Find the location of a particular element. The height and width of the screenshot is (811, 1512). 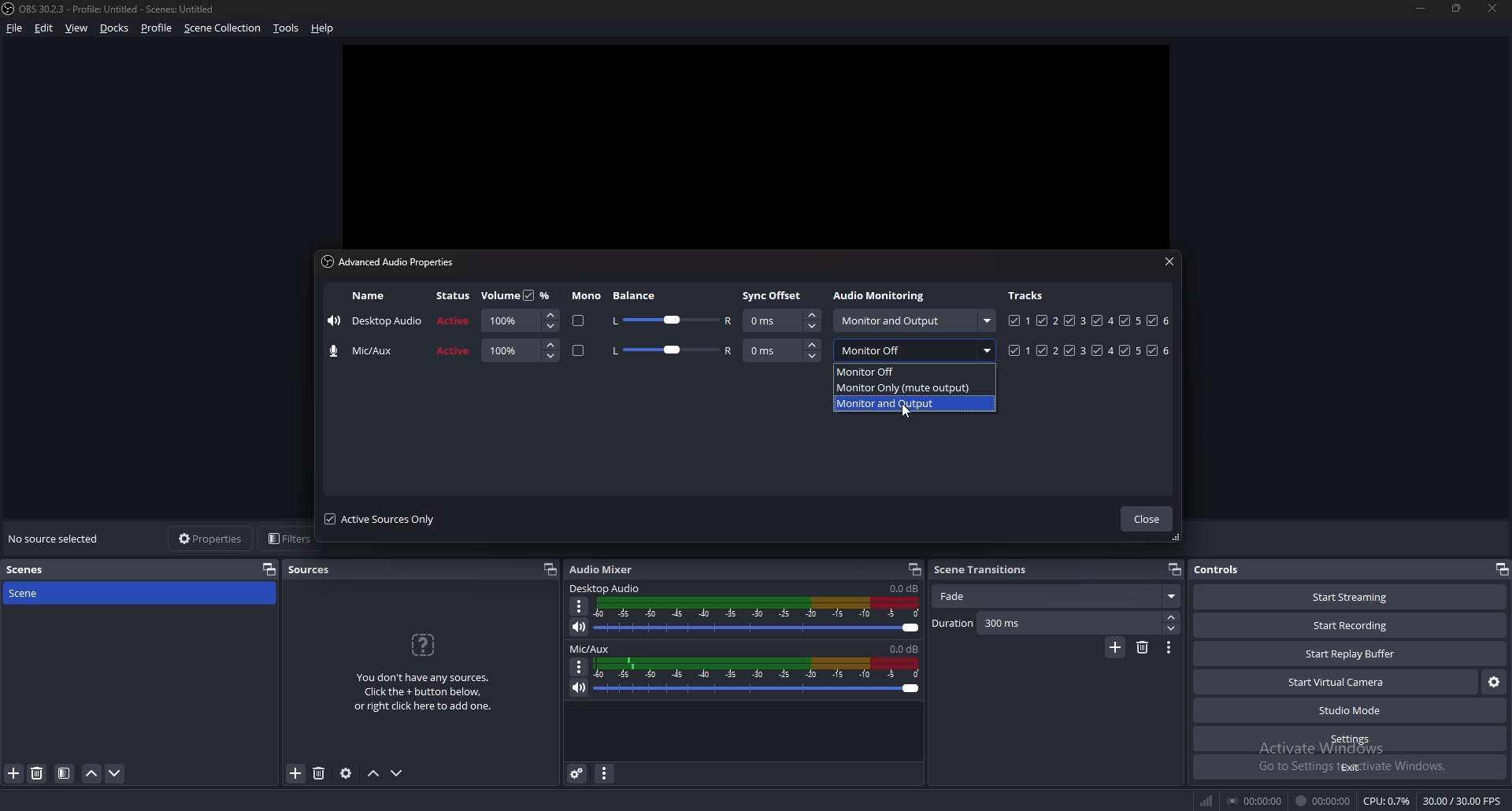

scene is located at coordinates (40, 593).